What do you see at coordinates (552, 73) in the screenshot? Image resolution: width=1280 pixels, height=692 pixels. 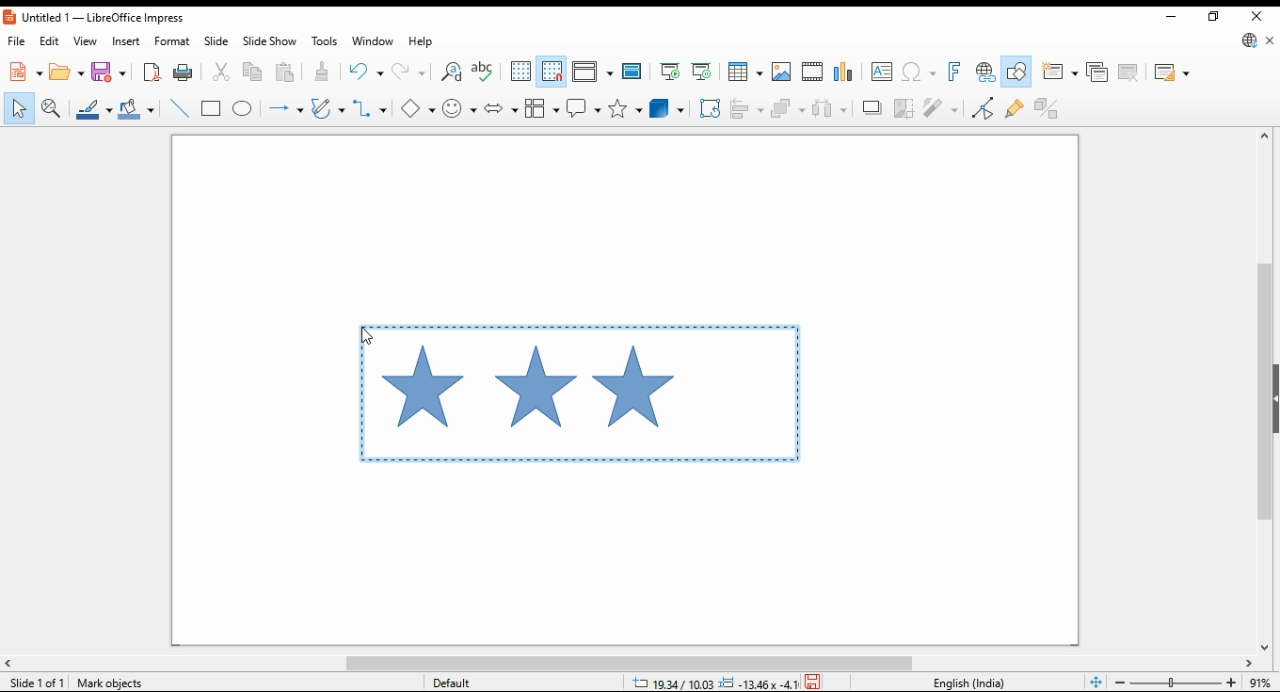 I see `snap to grids` at bounding box center [552, 73].